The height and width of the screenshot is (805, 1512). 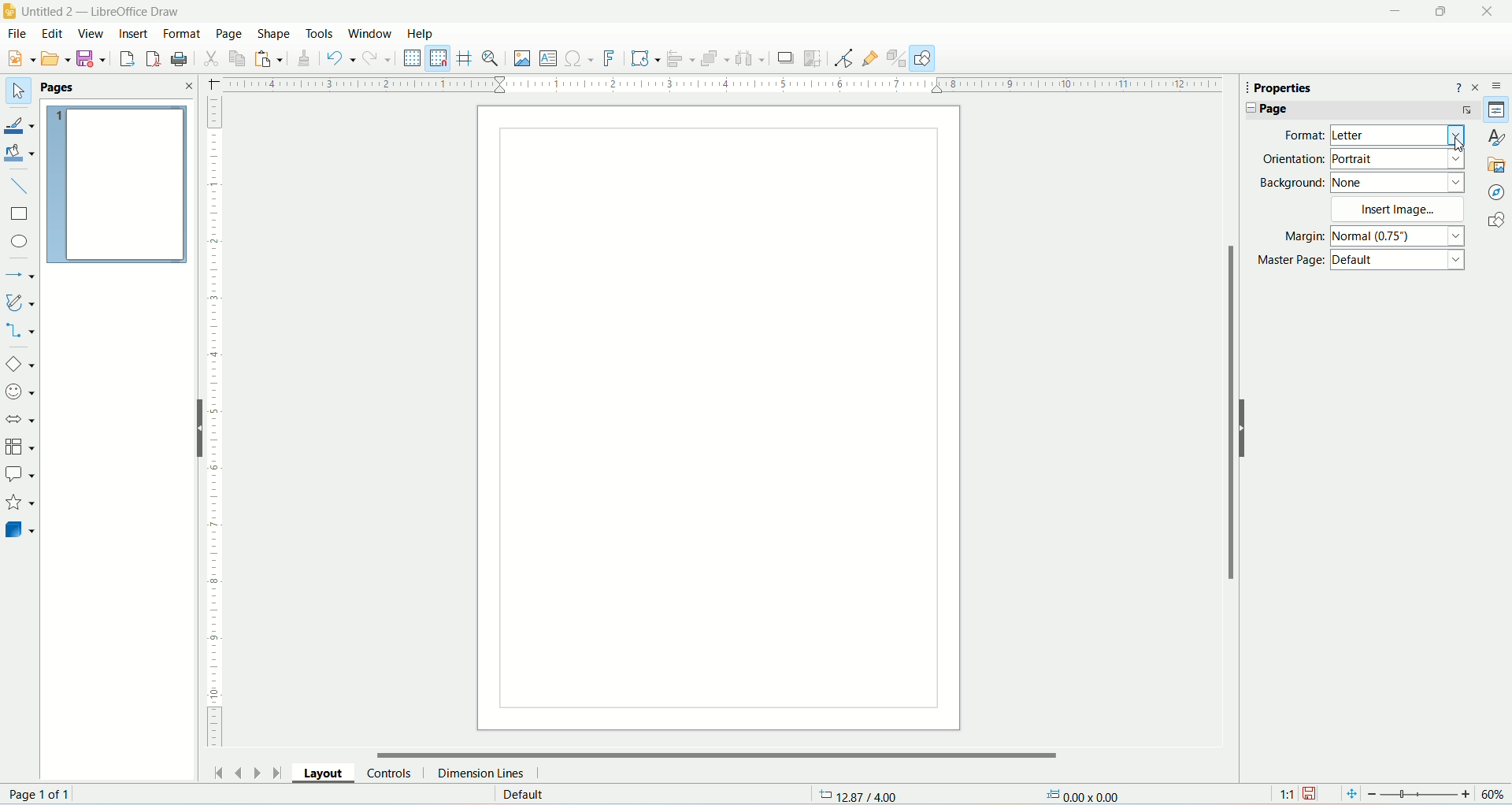 I want to click on vertical ruler, so click(x=214, y=420).